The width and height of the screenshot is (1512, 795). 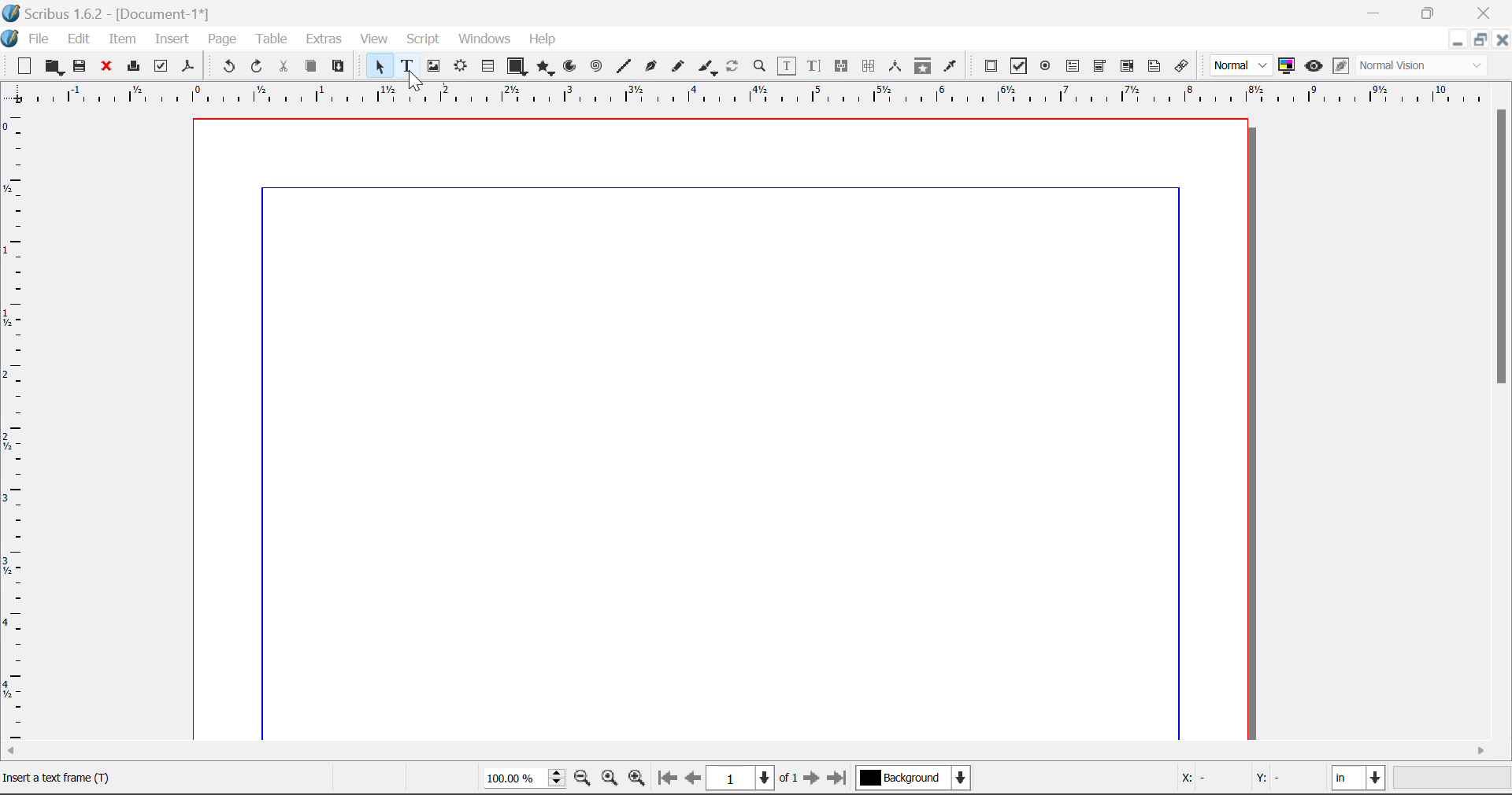 I want to click on Rotate, so click(x=733, y=65).